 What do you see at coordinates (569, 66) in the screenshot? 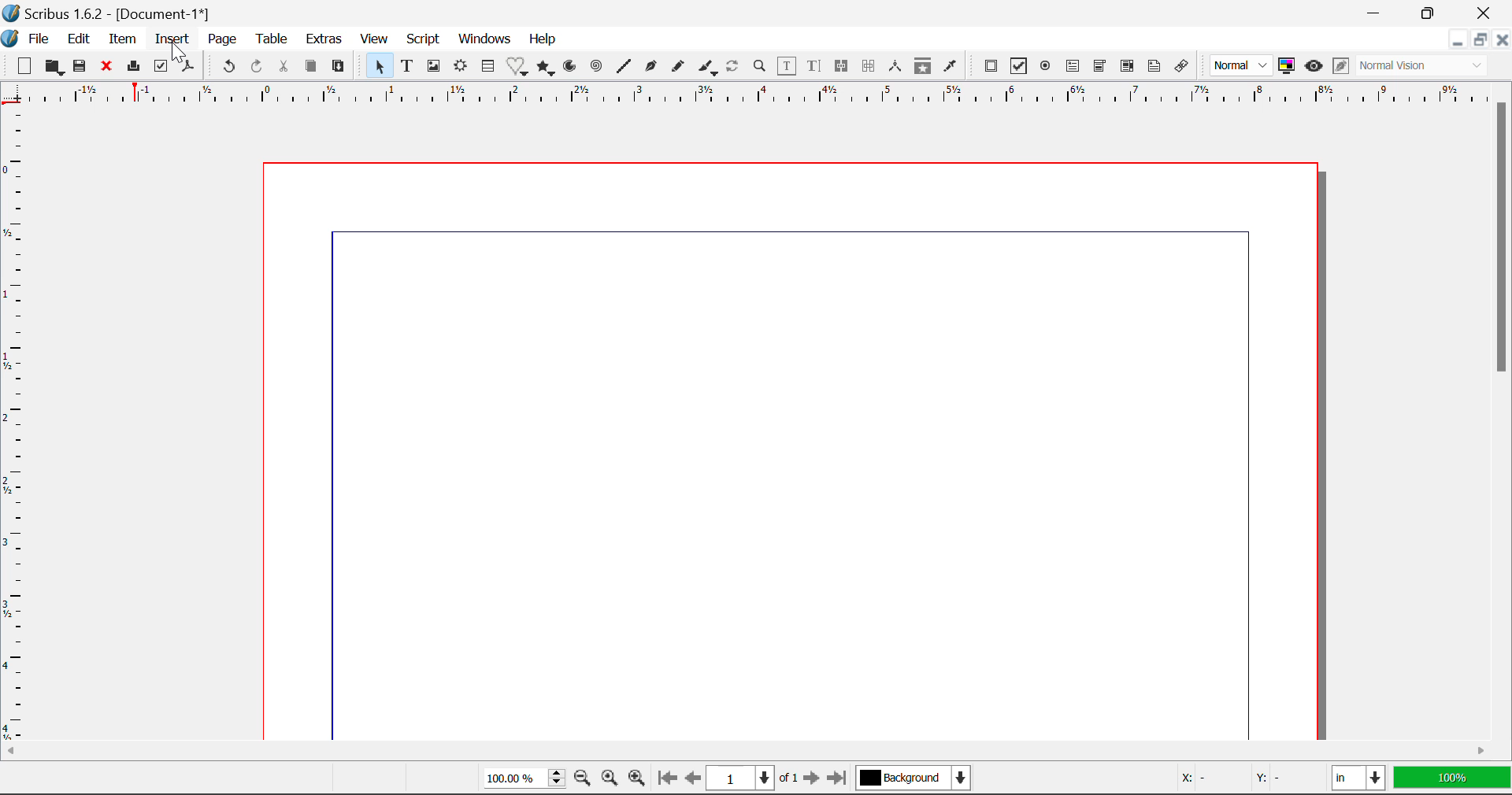
I see `Arcs` at bounding box center [569, 66].